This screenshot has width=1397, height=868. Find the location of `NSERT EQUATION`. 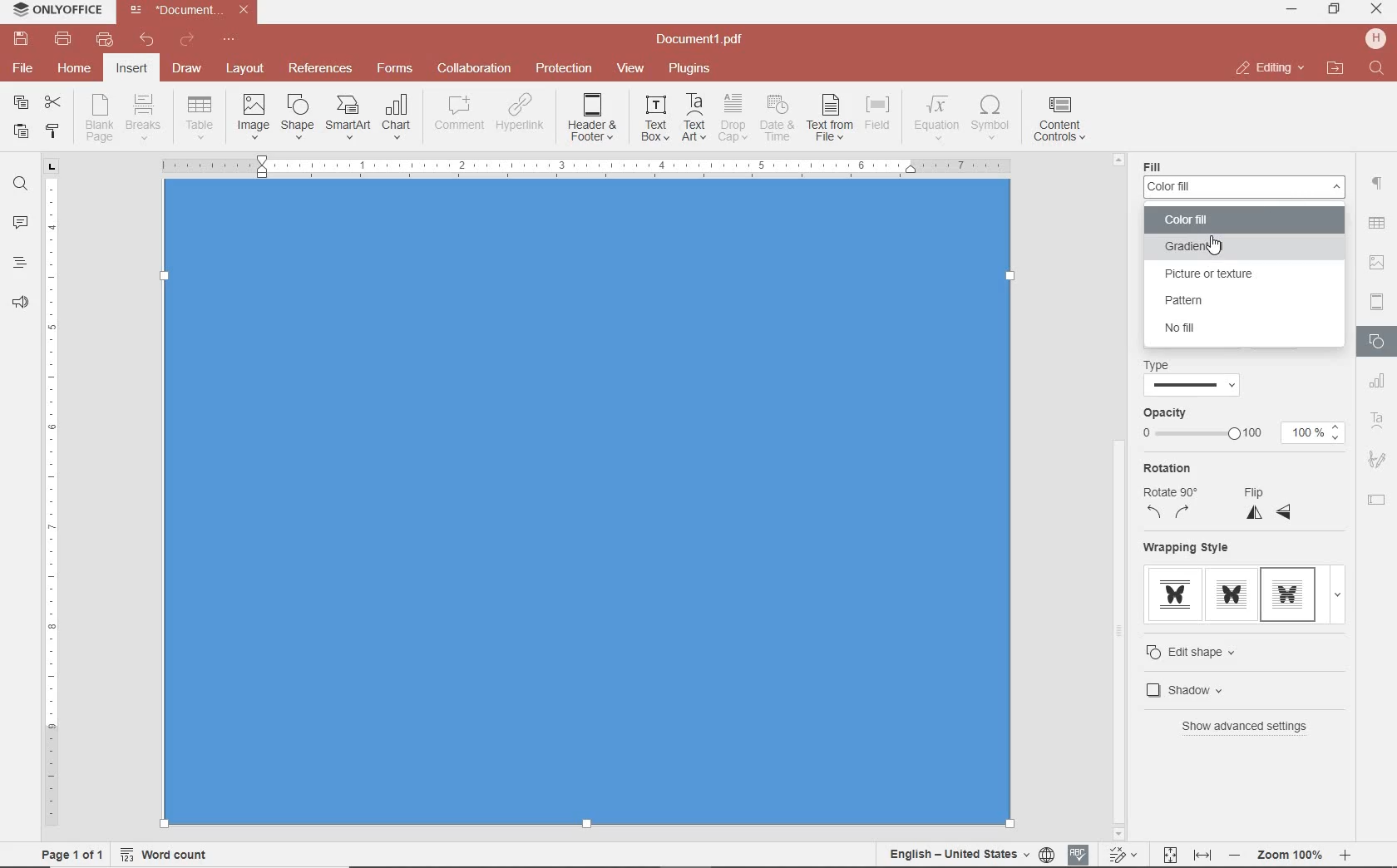

NSERT EQUATION is located at coordinates (935, 116).